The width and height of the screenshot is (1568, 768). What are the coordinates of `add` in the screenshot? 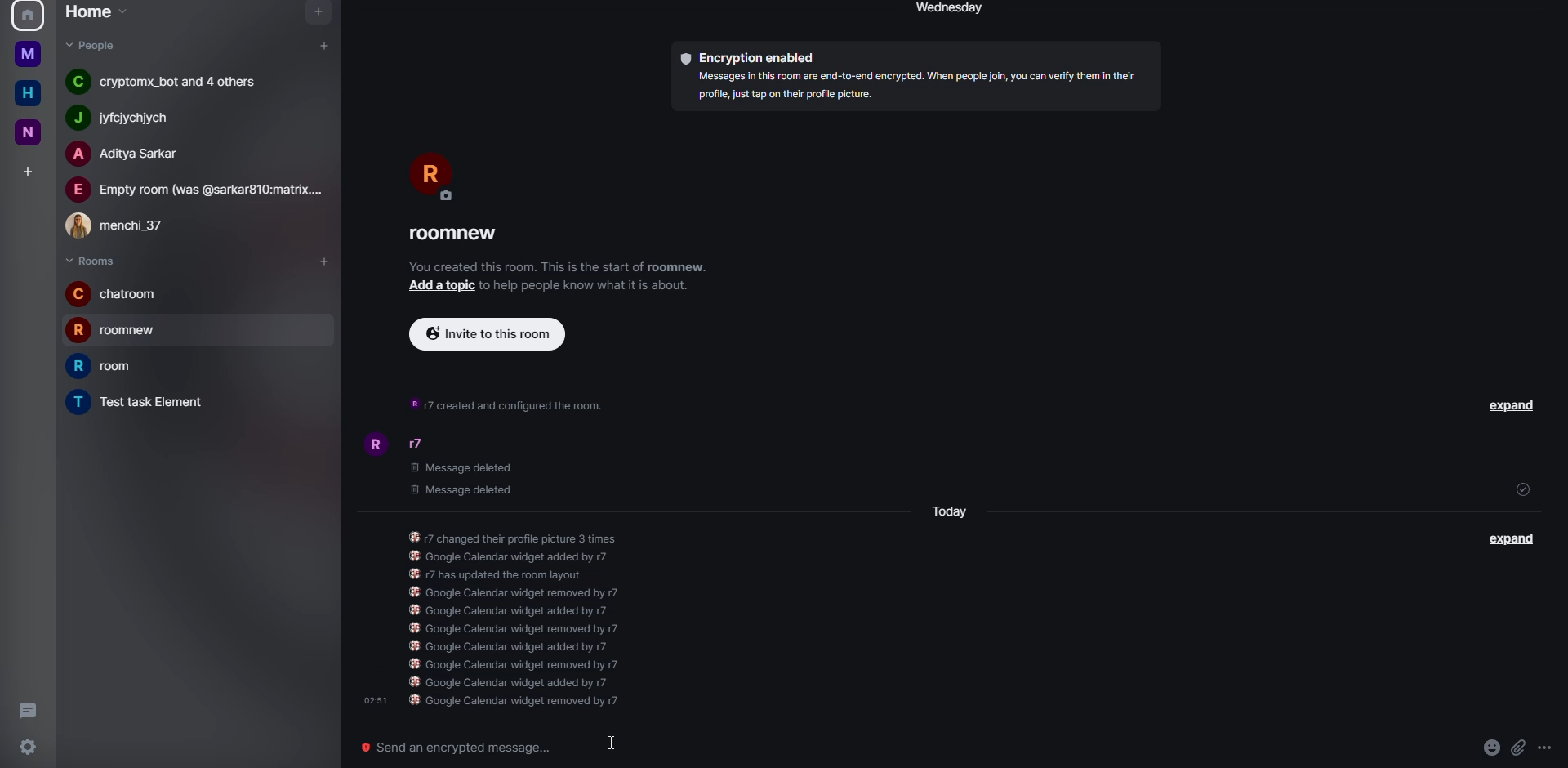 It's located at (28, 169).